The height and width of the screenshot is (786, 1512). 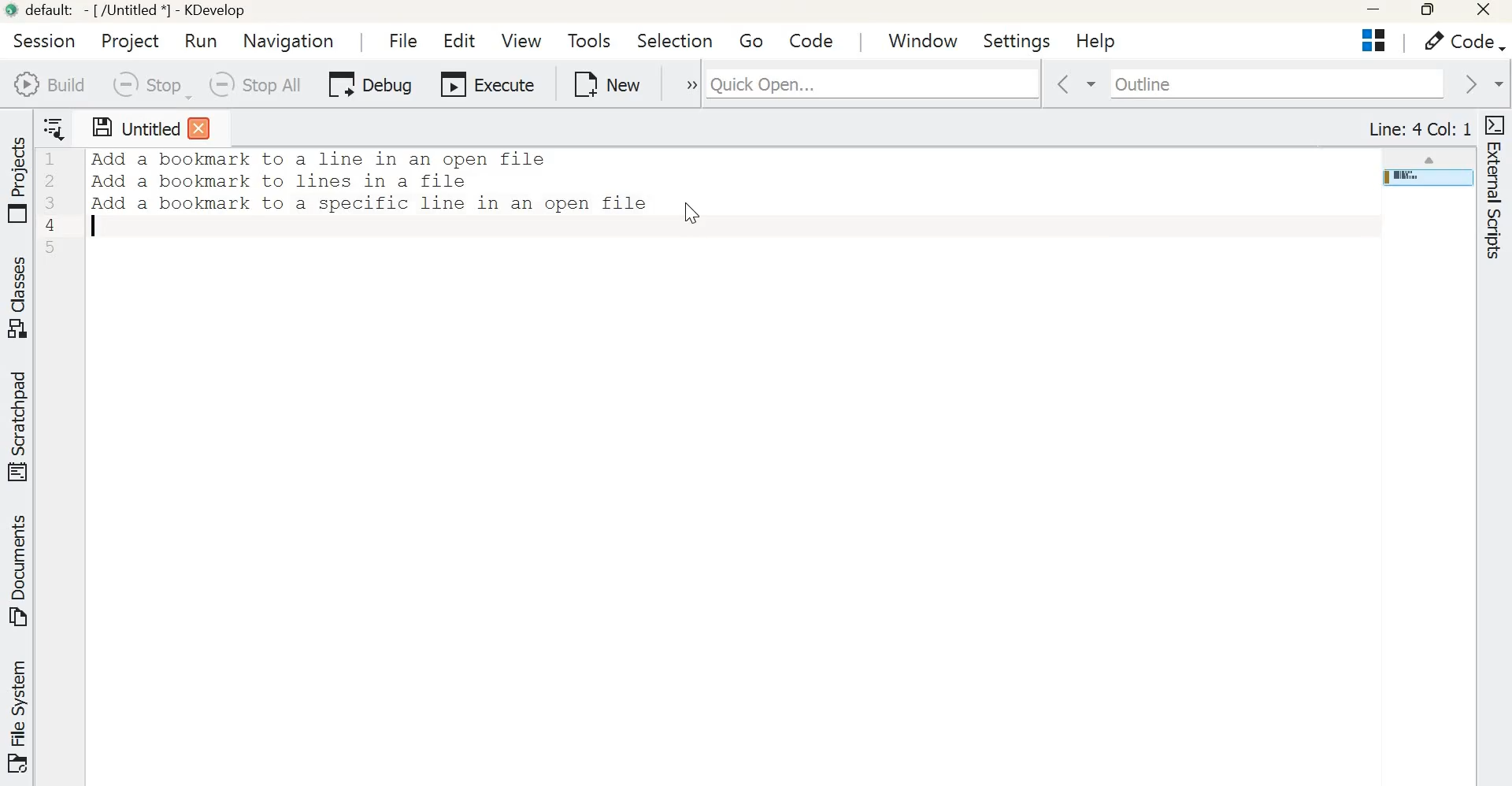 I want to click on Line: 4 Col: 1, so click(x=1418, y=130).